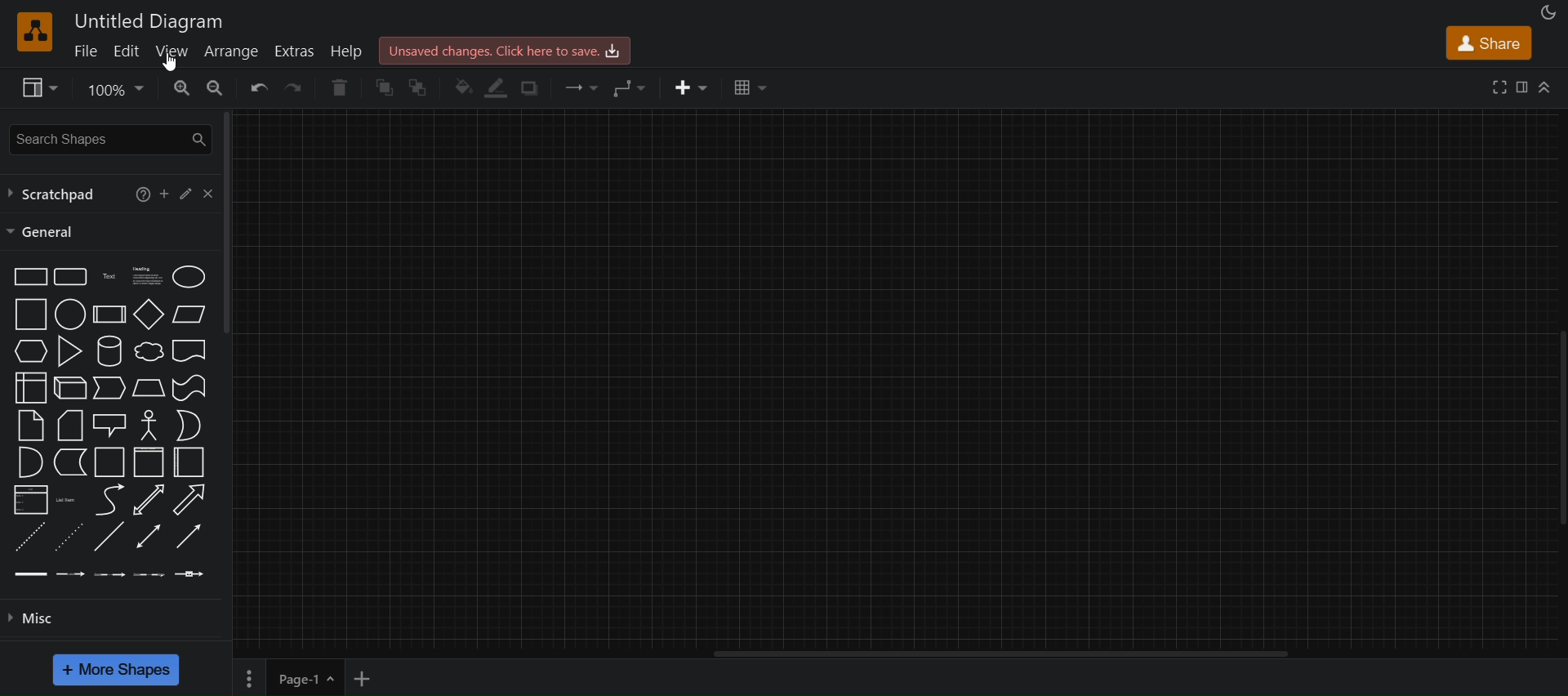 The height and width of the screenshot is (696, 1568). I want to click on share, so click(1490, 41).